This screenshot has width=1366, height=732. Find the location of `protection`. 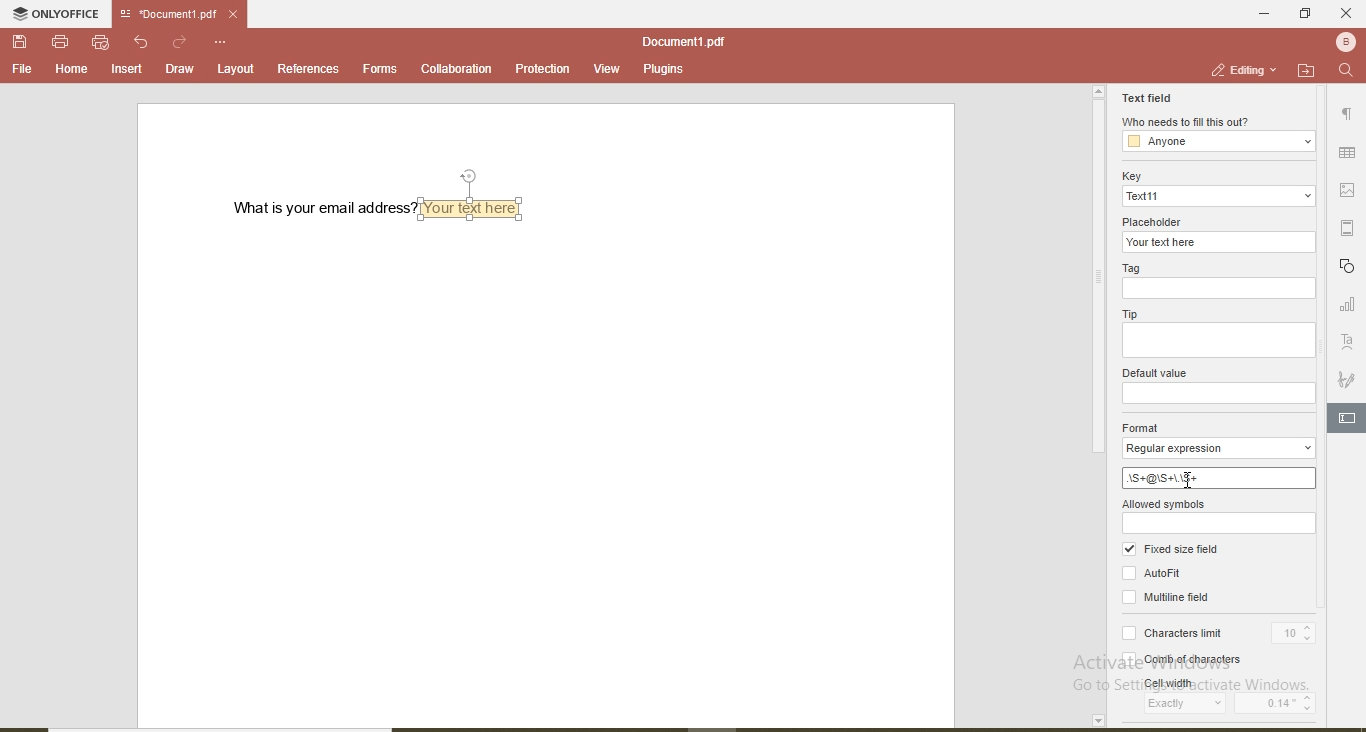

protection is located at coordinates (541, 69).